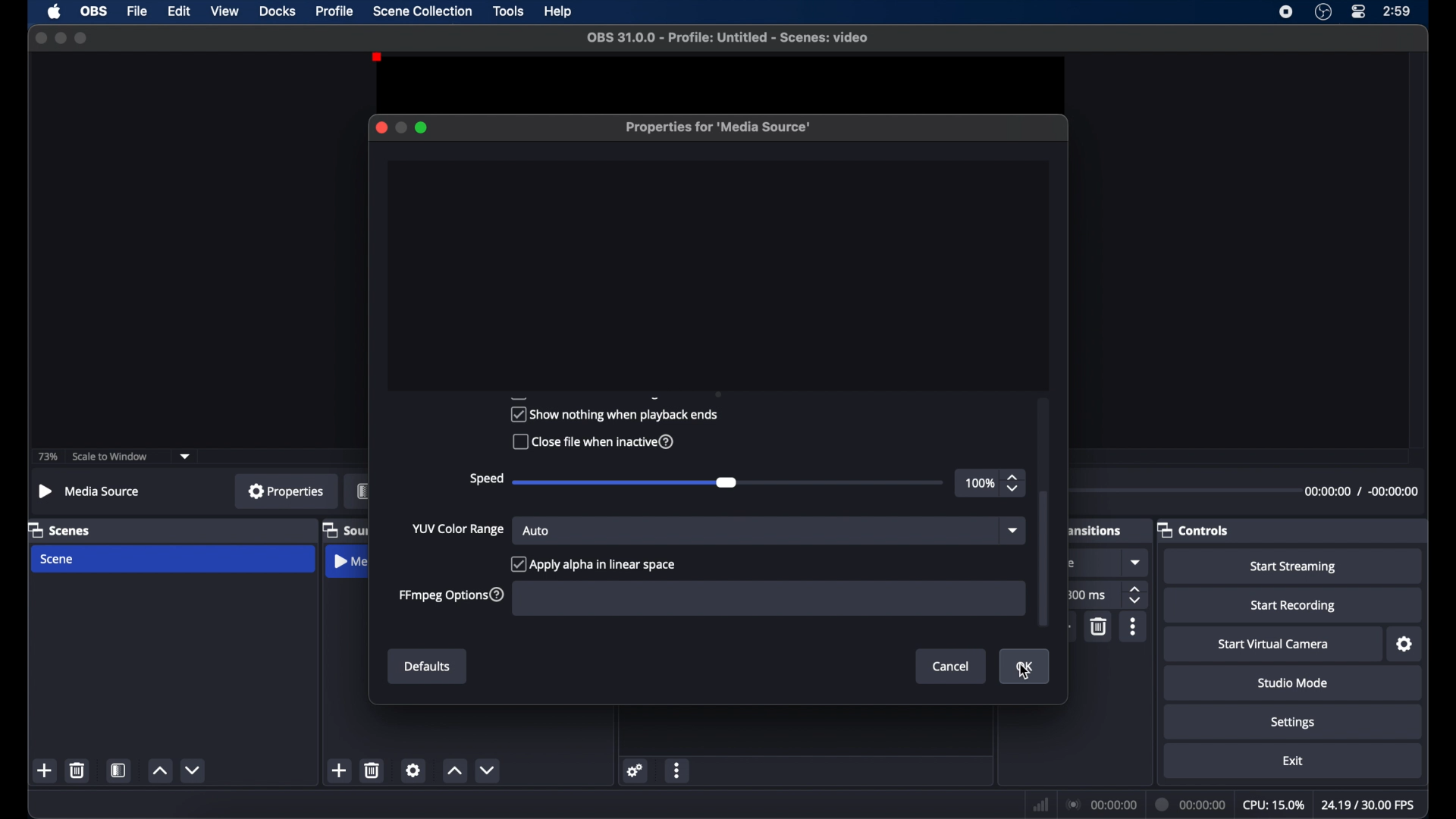 This screenshot has width=1456, height=819. What do you see at coordinates (93, 491) in the screenshot?
I see `no source selected` at bounding box center [93, 491].